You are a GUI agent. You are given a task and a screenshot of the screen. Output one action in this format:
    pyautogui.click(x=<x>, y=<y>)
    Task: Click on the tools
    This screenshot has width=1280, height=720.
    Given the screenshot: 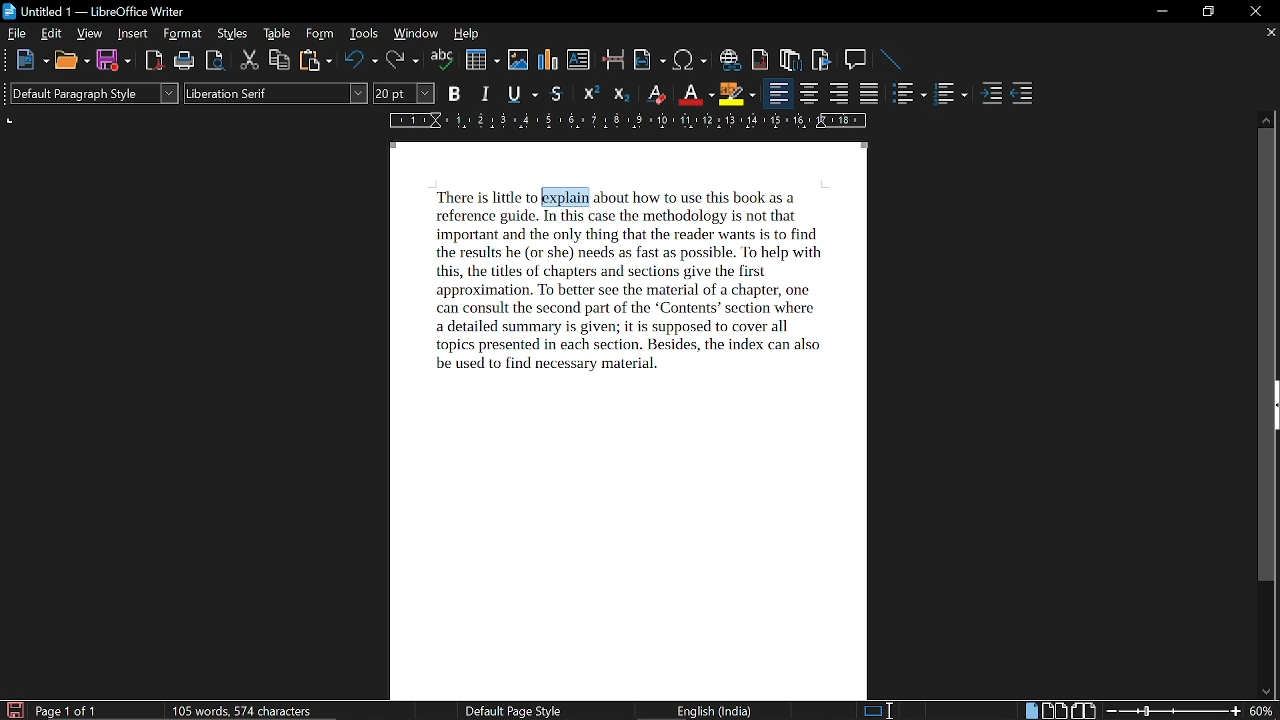 What is the action you would take?
    pyautogui.click(x=365, y=34)
    